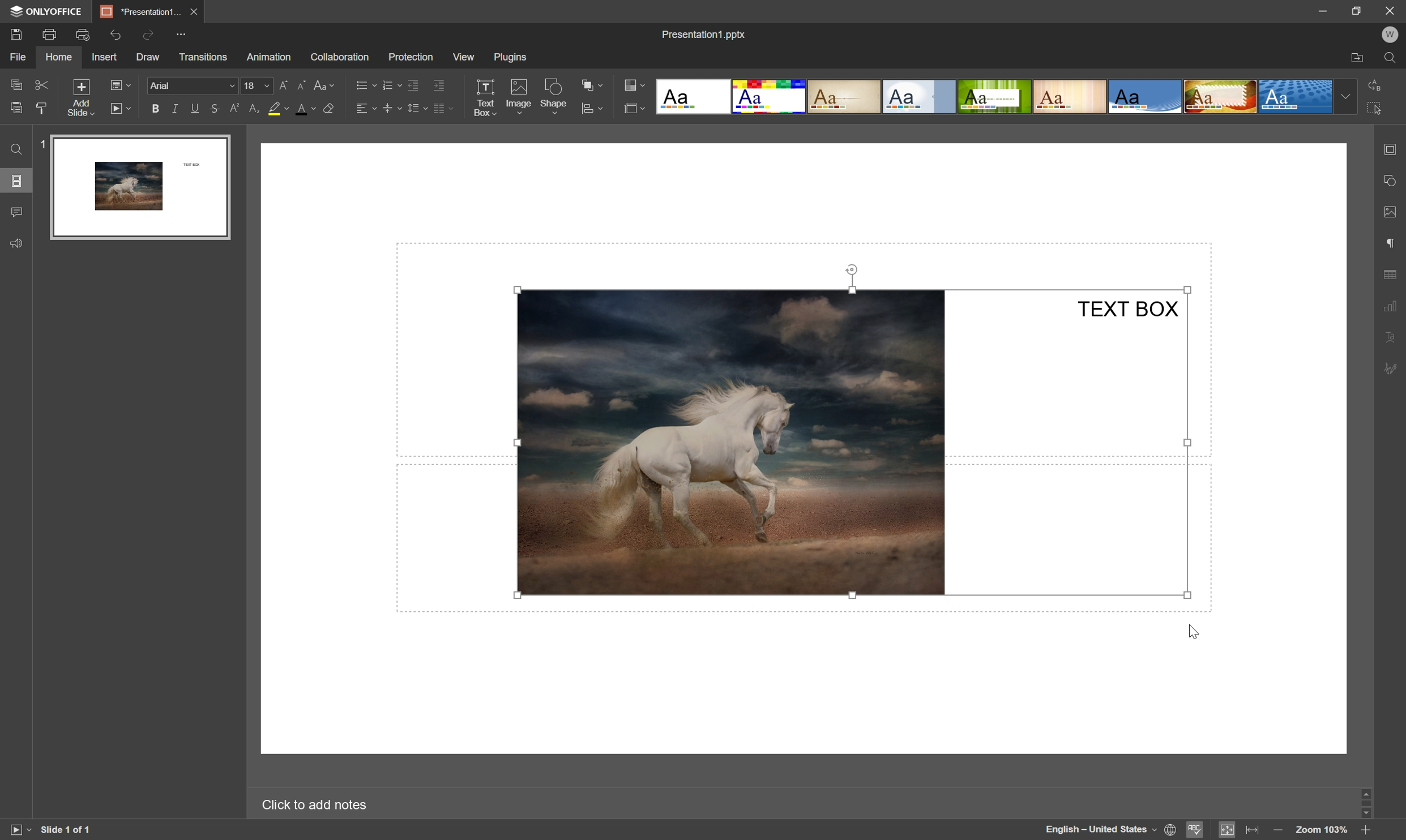  What do you see at coordinates (1196, 830) in the screenshot?
I see `spell checking` at bounding box center [1196, 830].